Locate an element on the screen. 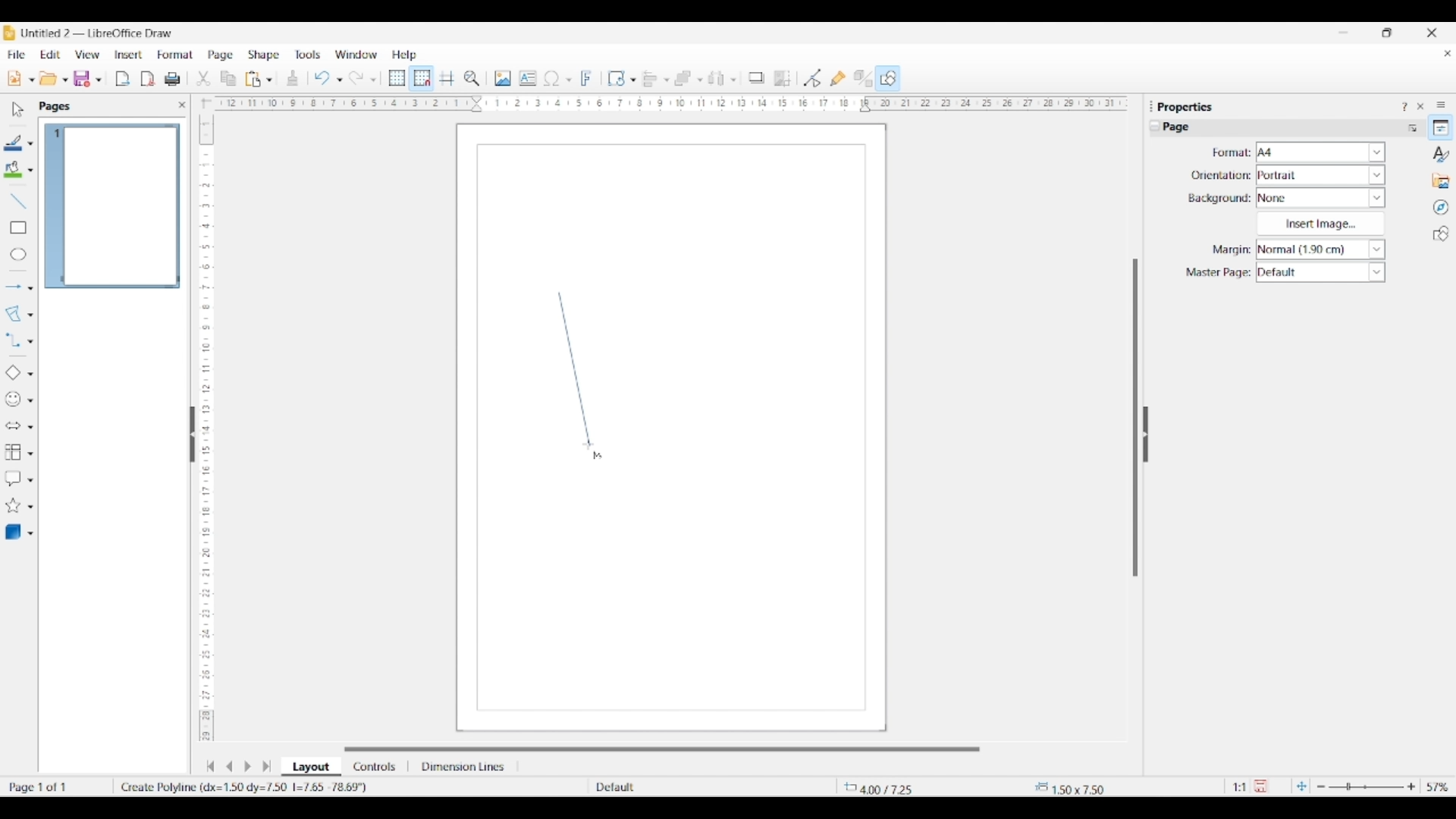 This screenshot has width=1456, height=819. Basic shape options is located at coordinates (30, 374).